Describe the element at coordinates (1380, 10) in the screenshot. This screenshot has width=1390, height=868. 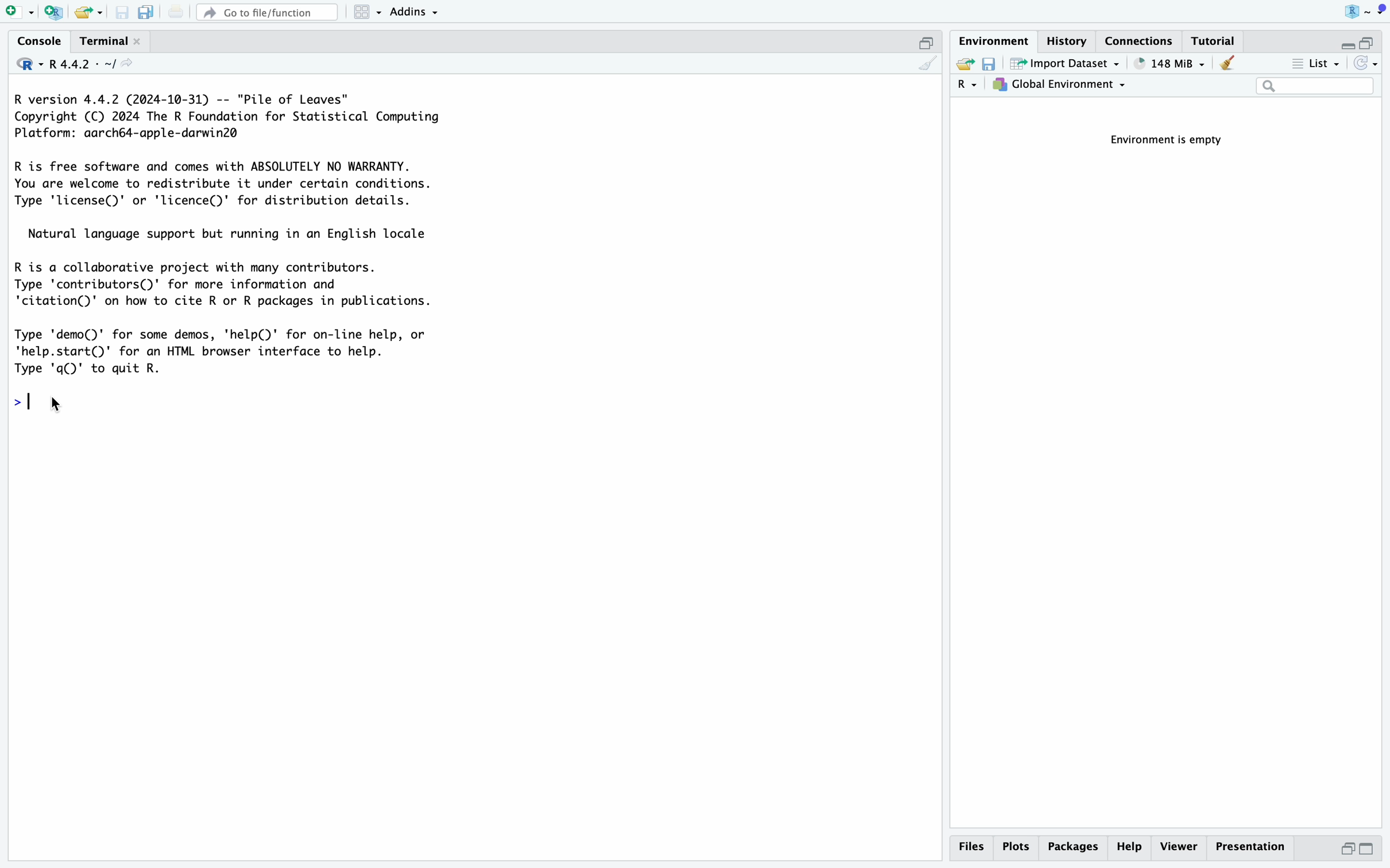
I see `dropdown` at that location.